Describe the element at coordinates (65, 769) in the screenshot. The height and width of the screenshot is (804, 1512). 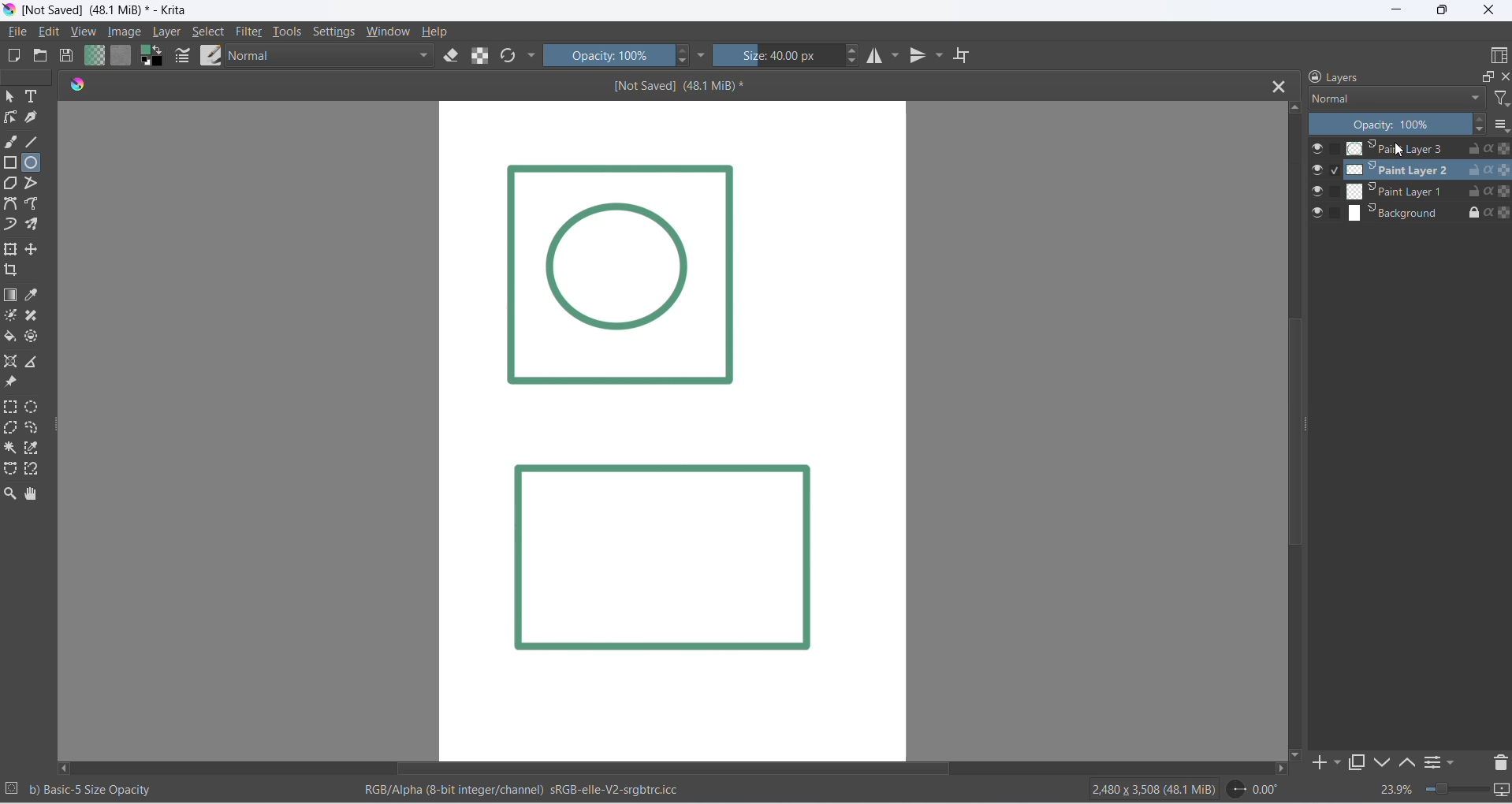
I see `move left` at that location.